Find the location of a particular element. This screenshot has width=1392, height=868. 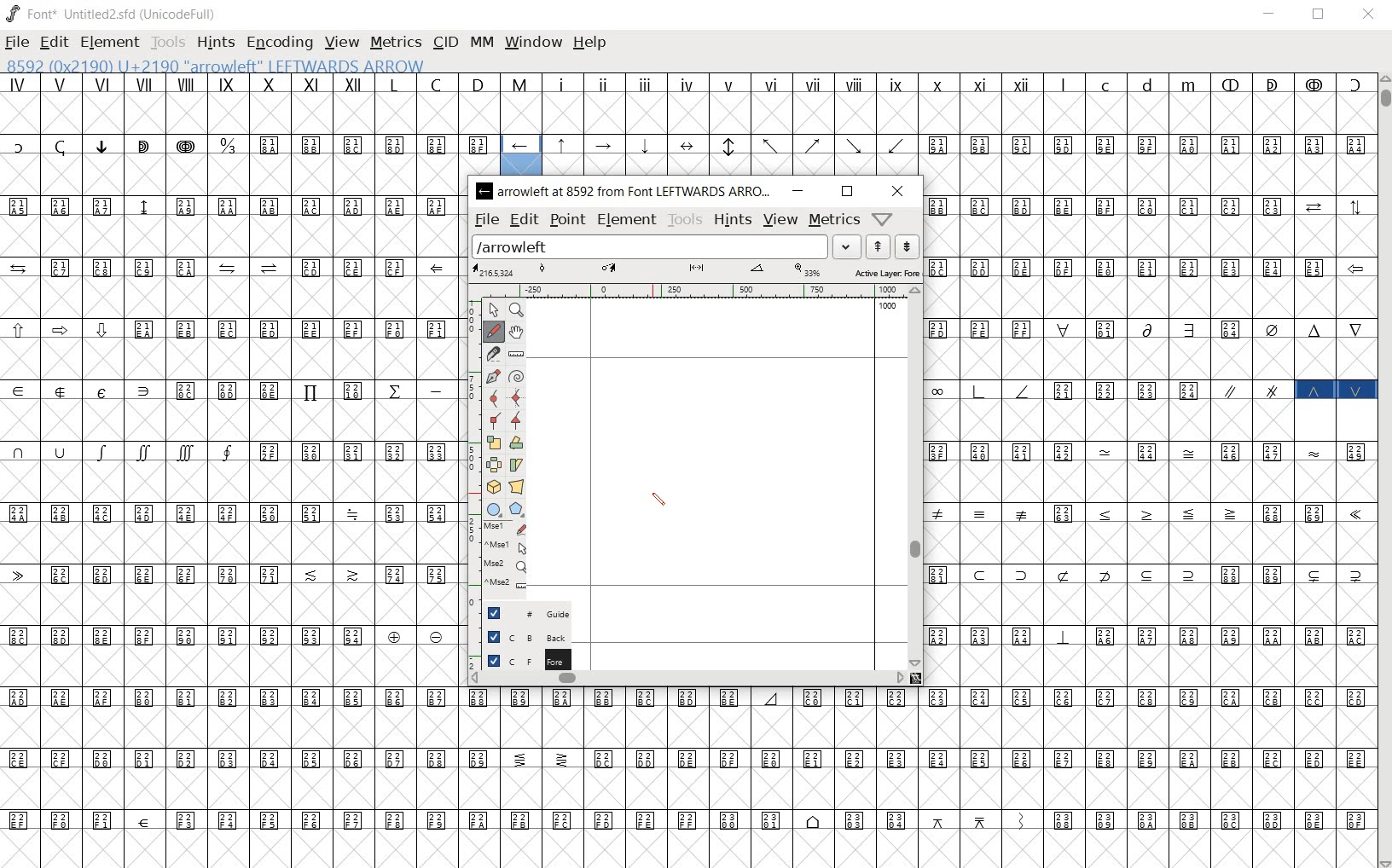

metrics is located at coordinates (395, 43).